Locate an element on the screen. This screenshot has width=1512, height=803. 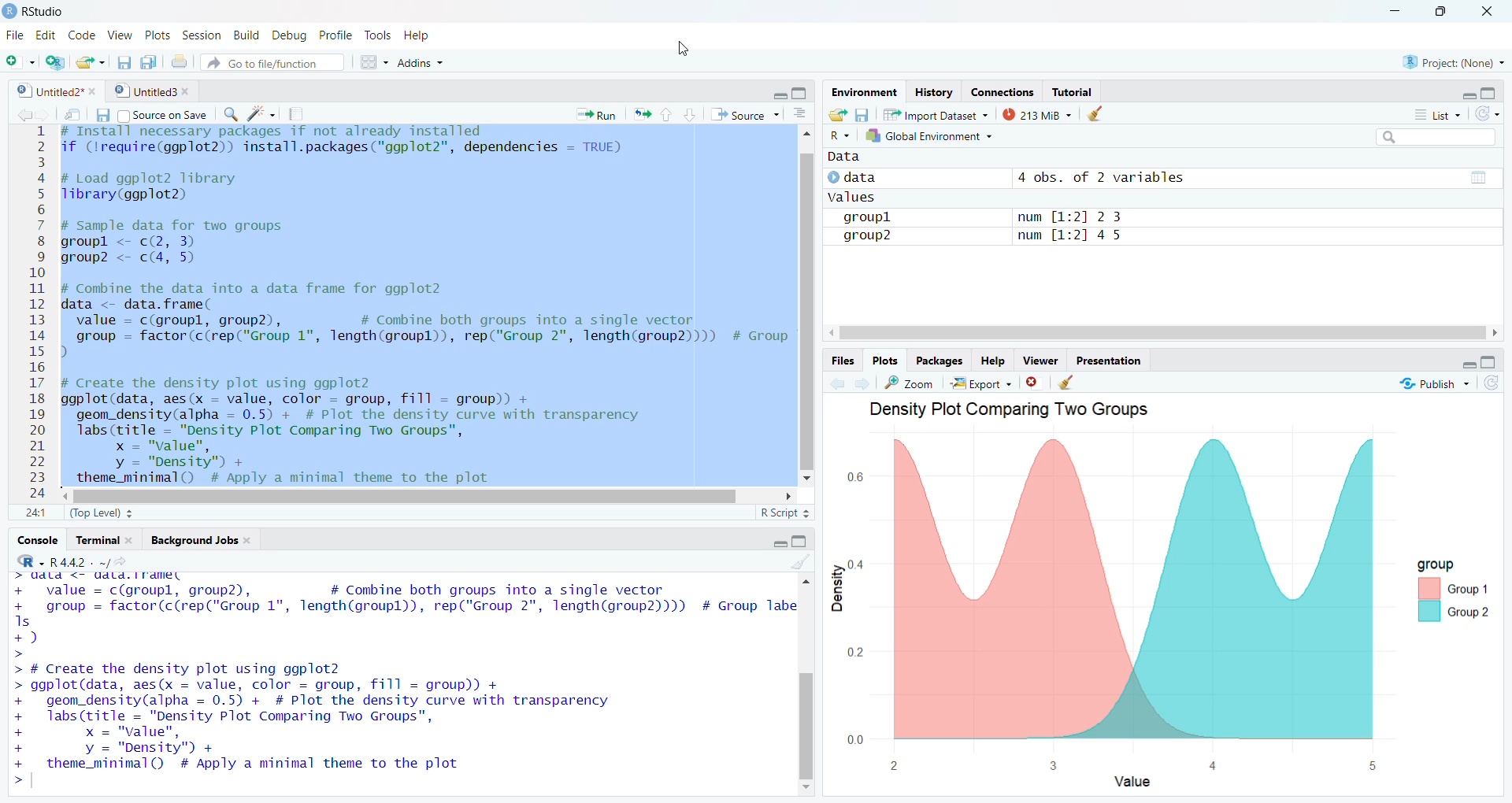
 is located at coordinates (369, 61).